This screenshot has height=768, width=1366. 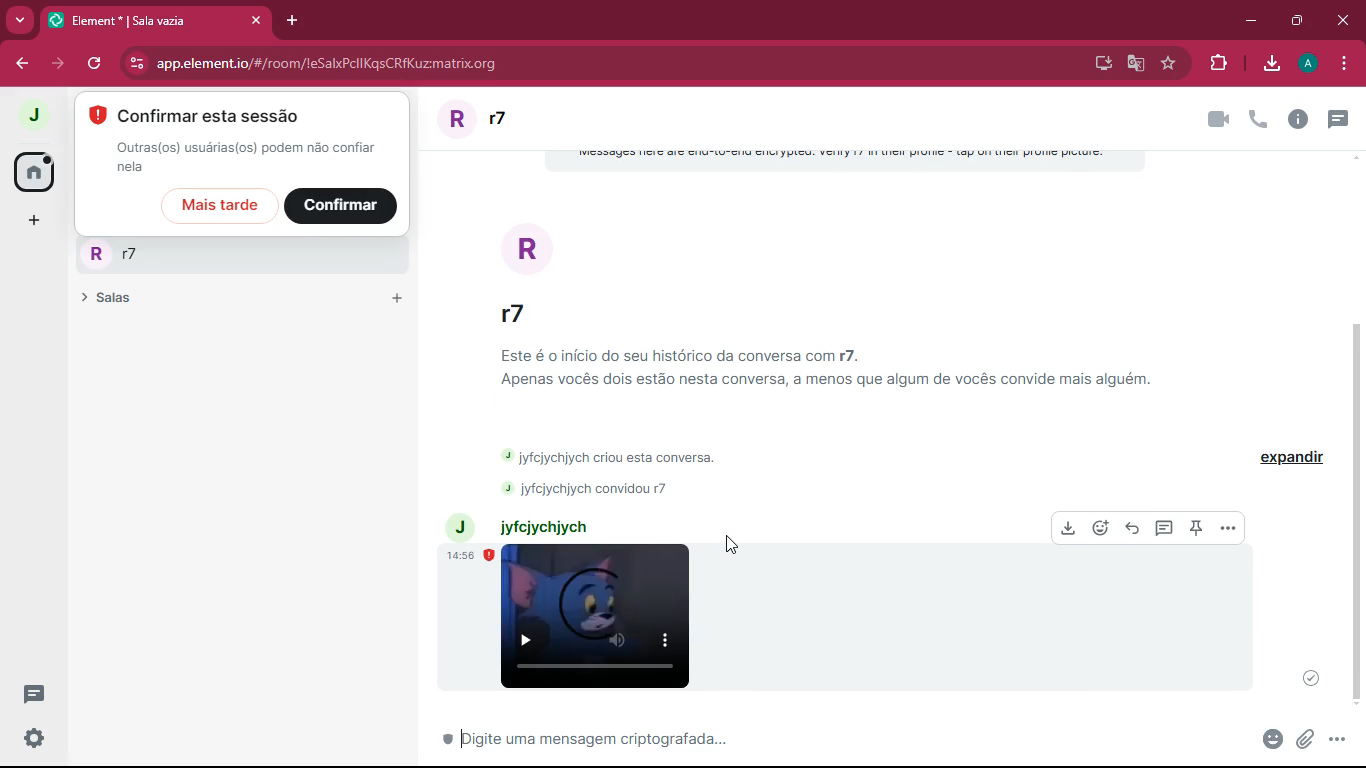 What do you see at coordinates (1098, 64) in the screenshot?
I see `desktop` at bounding box center [1098, 64].